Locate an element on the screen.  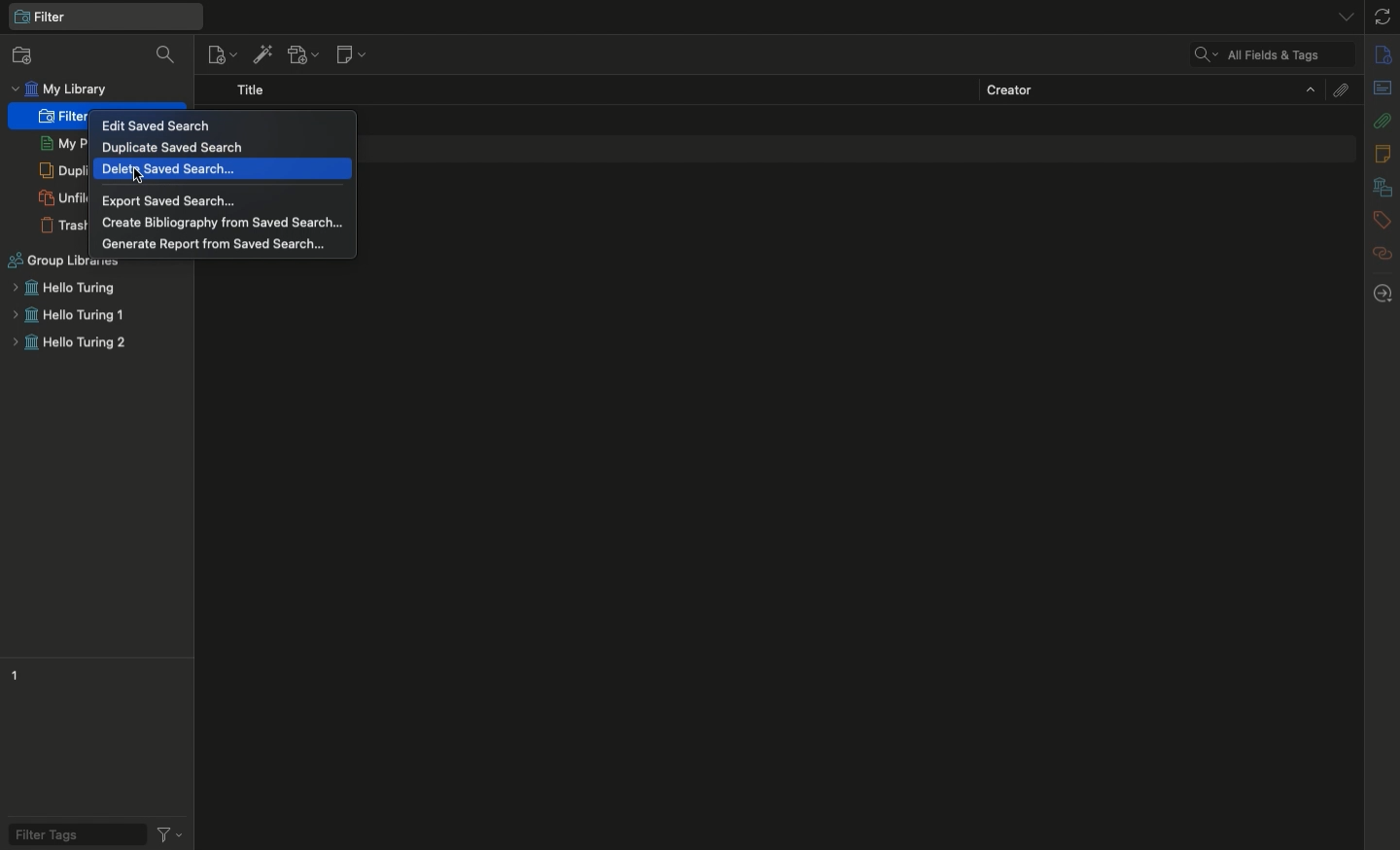
New note is located at coordinates (349, 55).